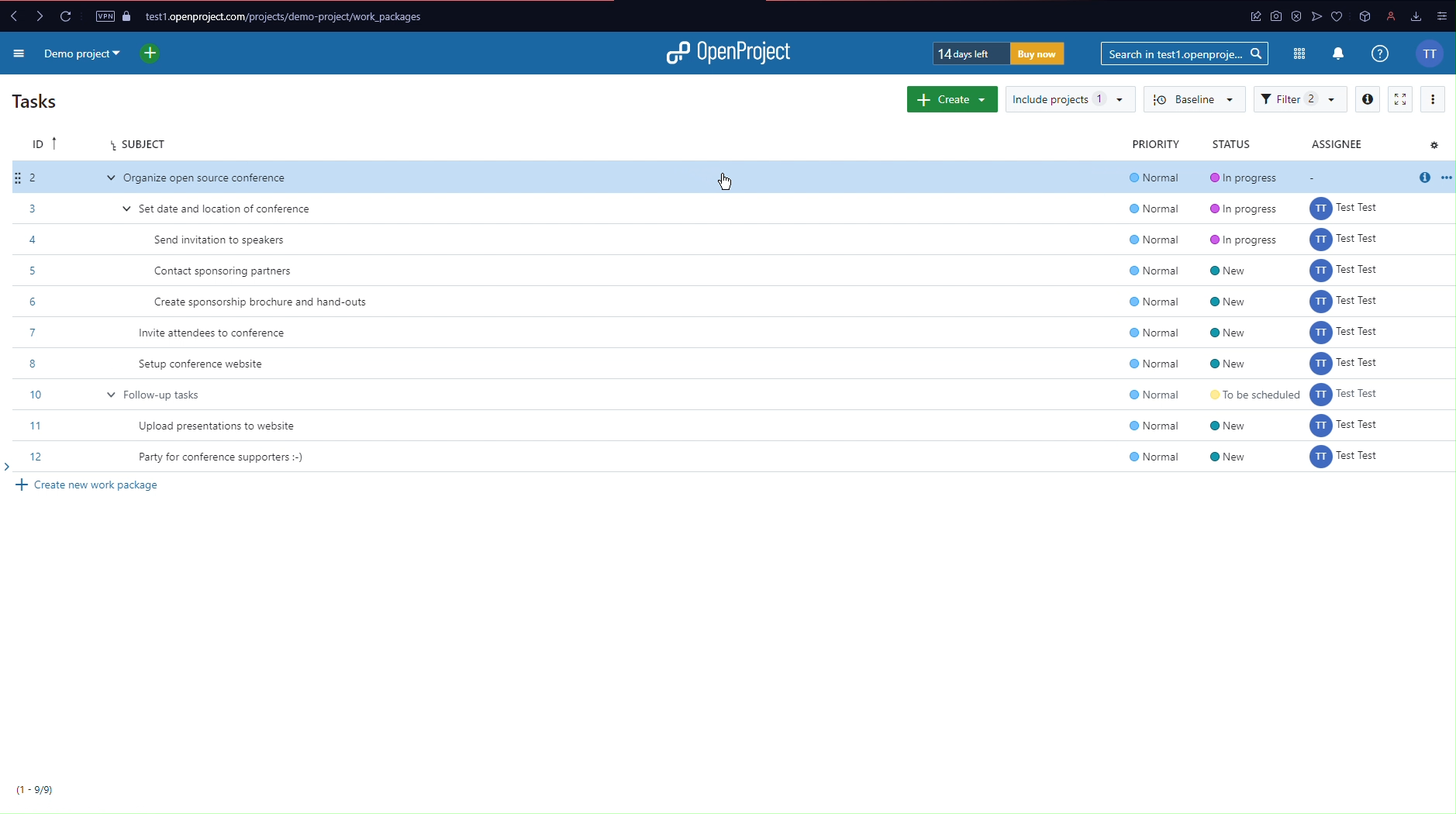 The height and width of the screenshot is (814, 1456). What do you see at coordinates (1243, 18) in the screenshot?
I see `app icon` at bounding box center [1243, 18].